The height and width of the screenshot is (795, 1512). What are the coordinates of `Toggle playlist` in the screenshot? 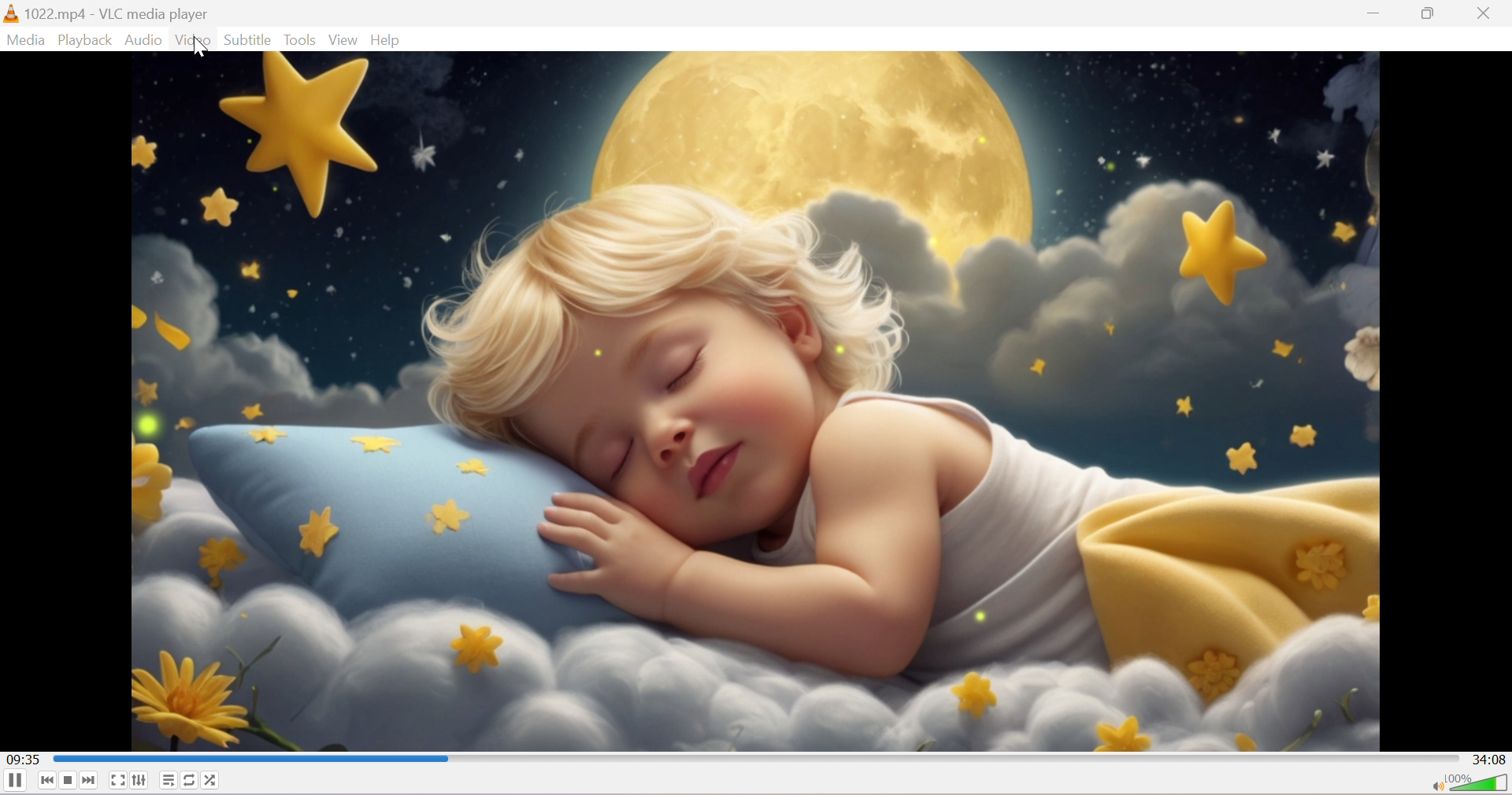 It's located at (168, 779).